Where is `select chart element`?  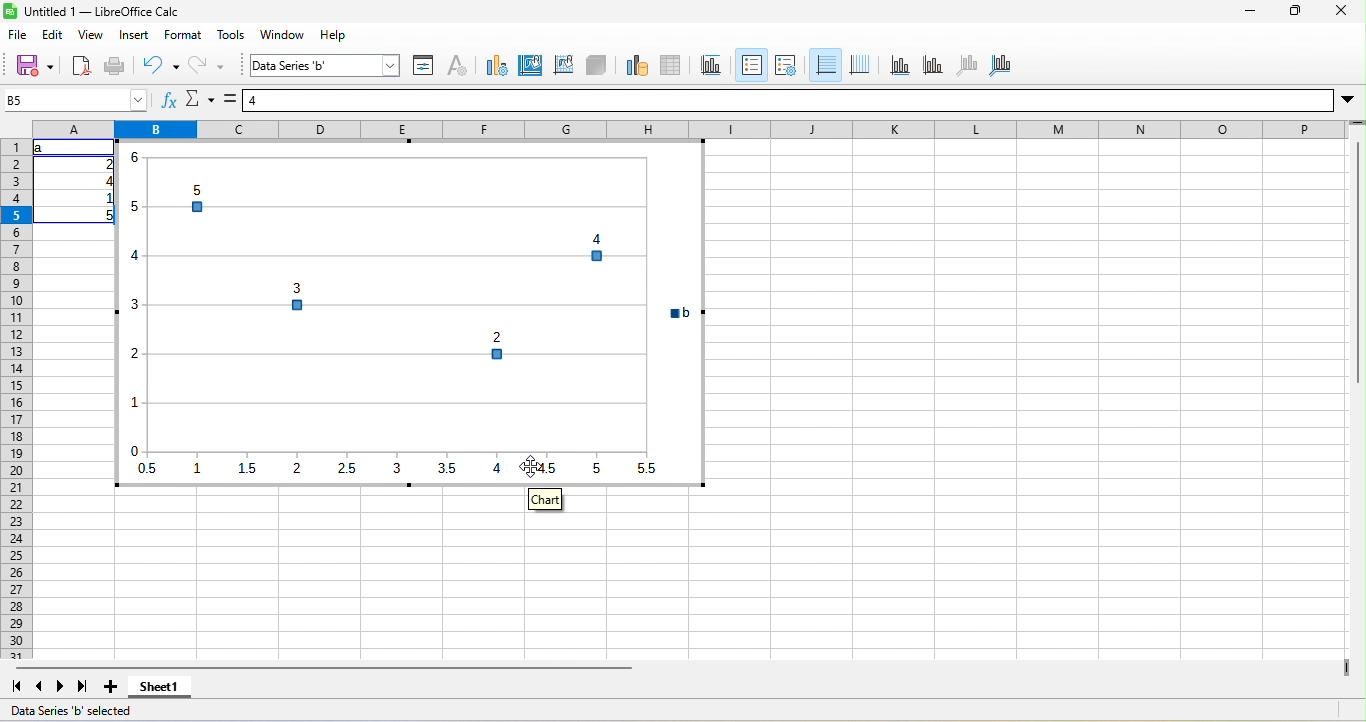
select chart element is located at coordinates (326, 65).